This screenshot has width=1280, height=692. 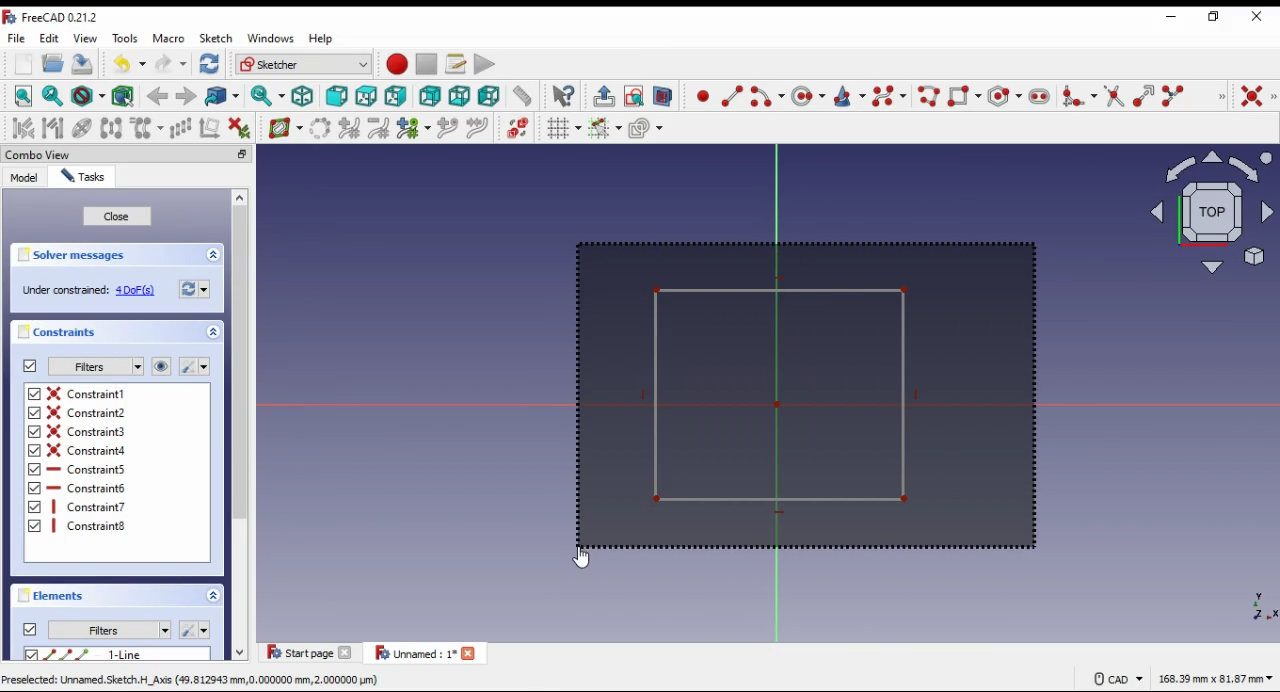 I want to click on top, so click(x=367, y=97).